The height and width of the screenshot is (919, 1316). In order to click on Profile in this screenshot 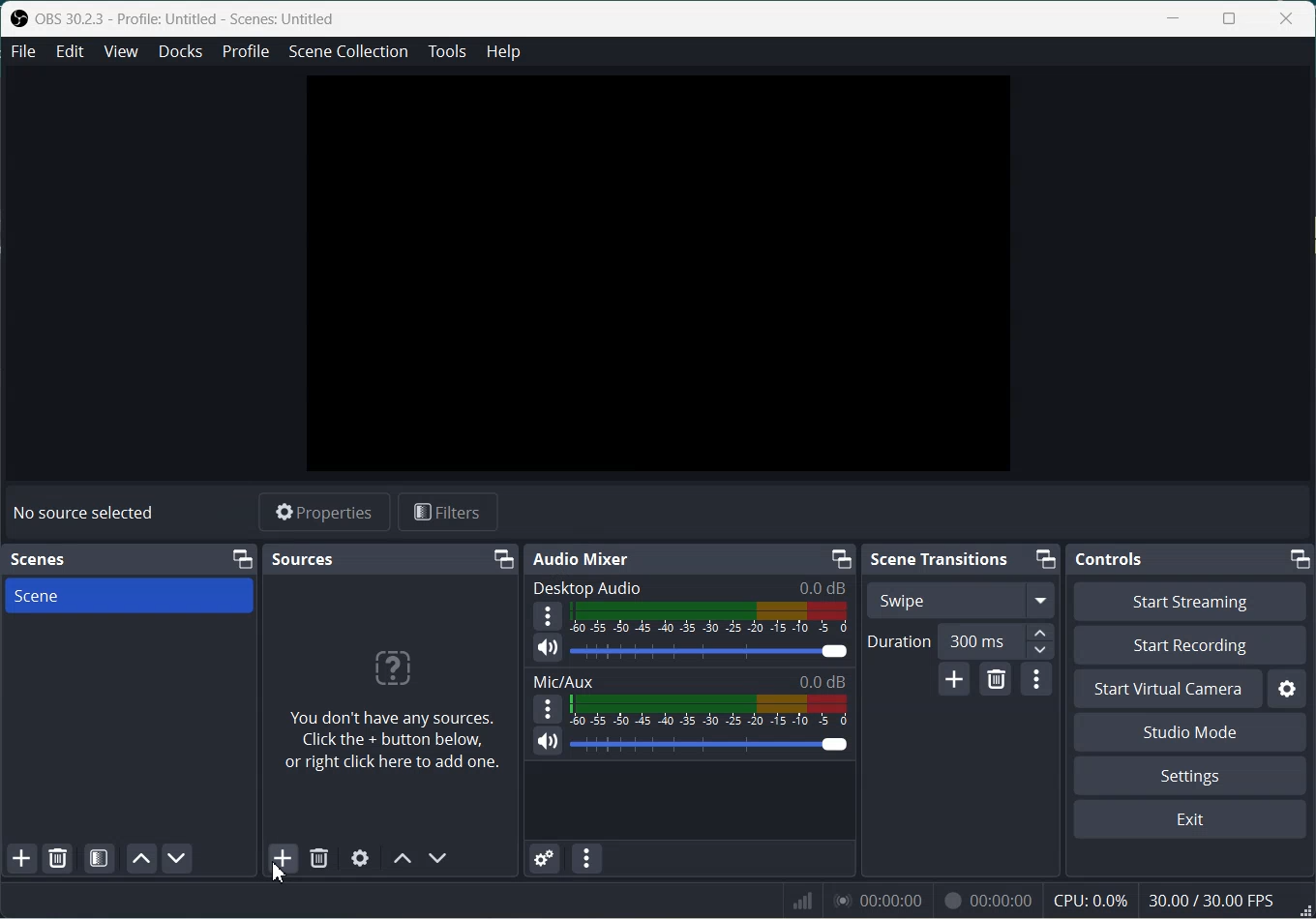, I will do `click(245, 51)`.